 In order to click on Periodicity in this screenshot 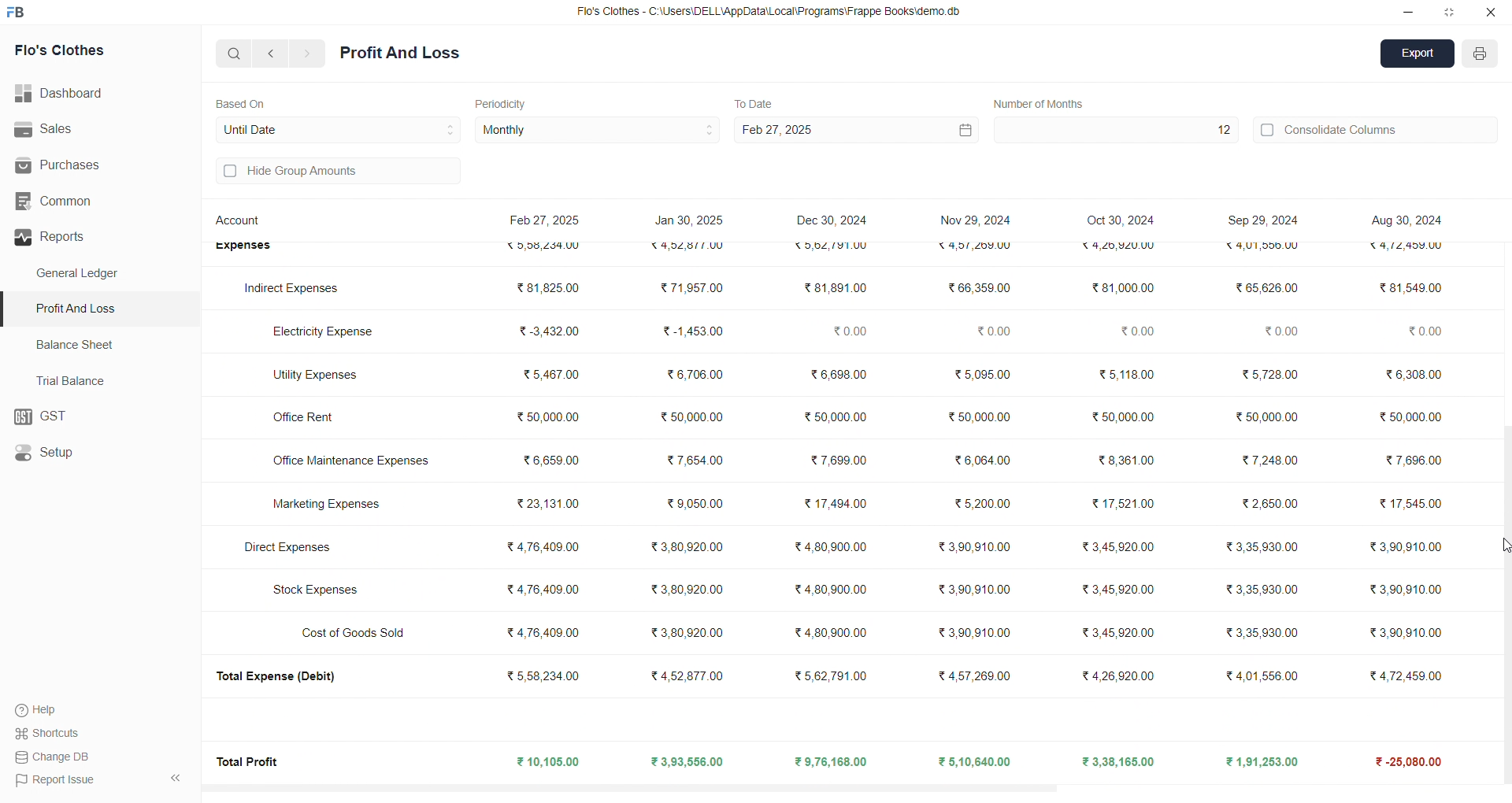, I will do `click(504, 102)`.